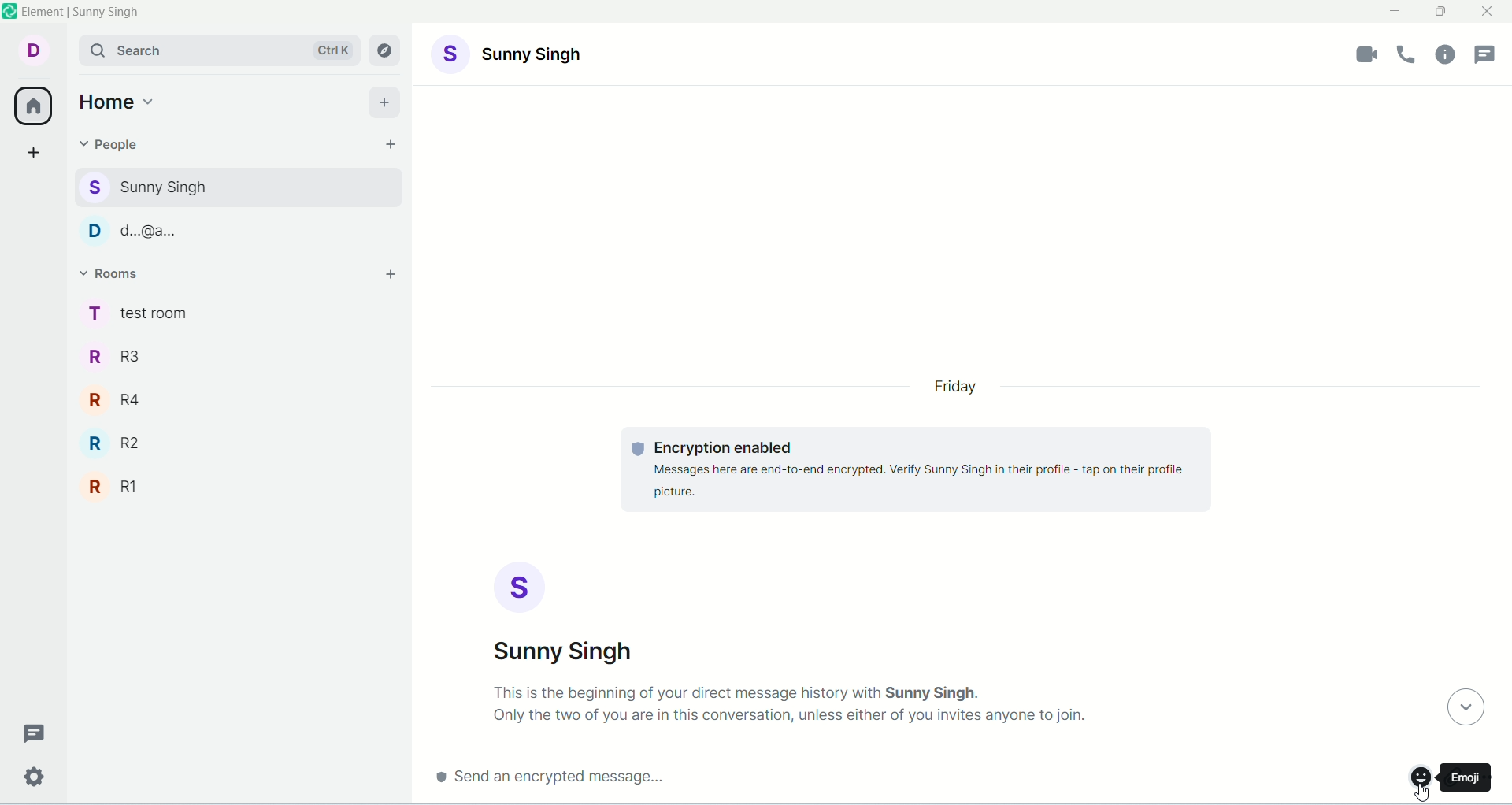 This screenshot has width=1512, height=805. Describe the element at coordinates (389, 101) in the screenshot. I see `add` at that location.